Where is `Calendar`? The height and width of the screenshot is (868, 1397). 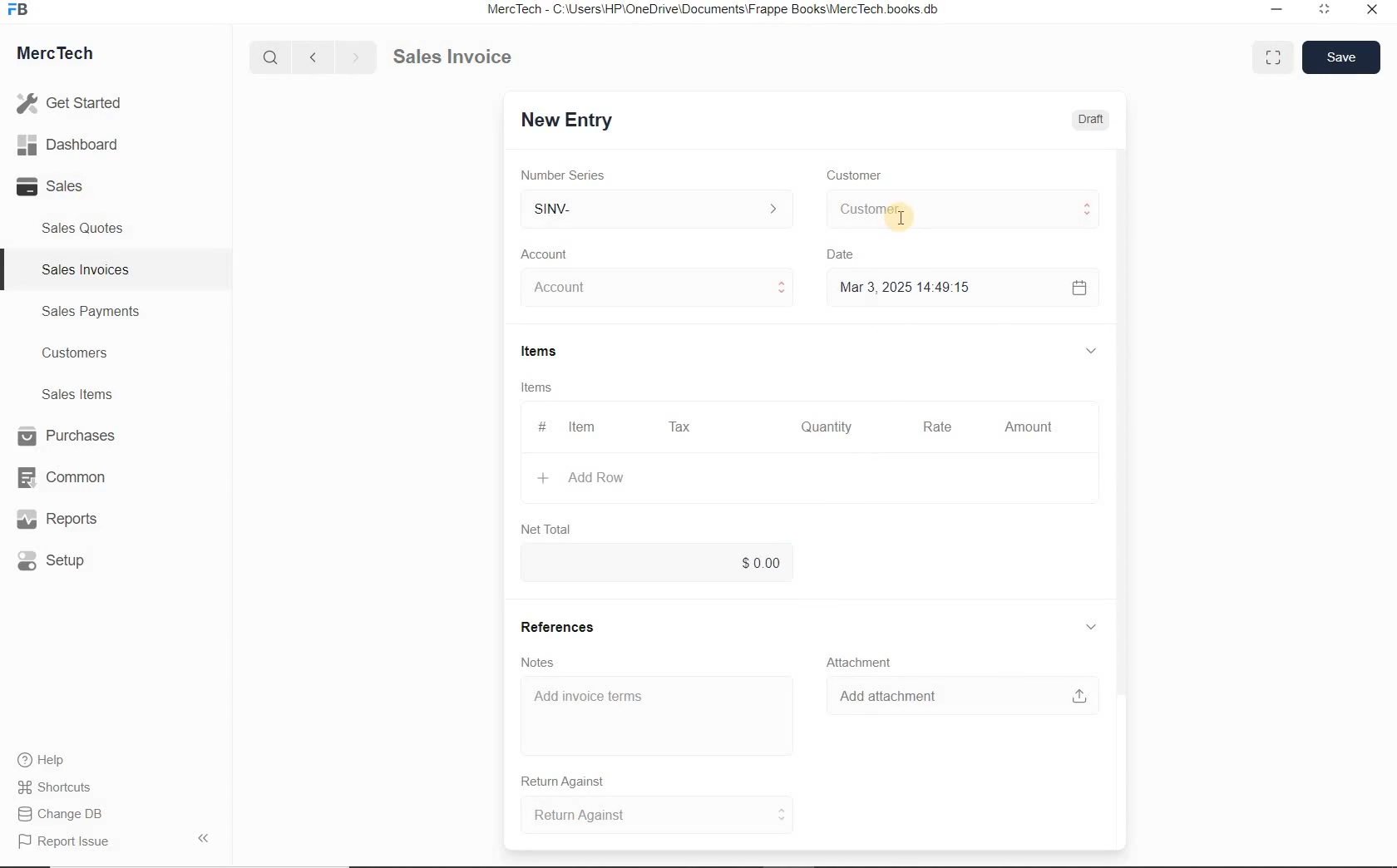
Calendar is located at coordinates (1078, 289).